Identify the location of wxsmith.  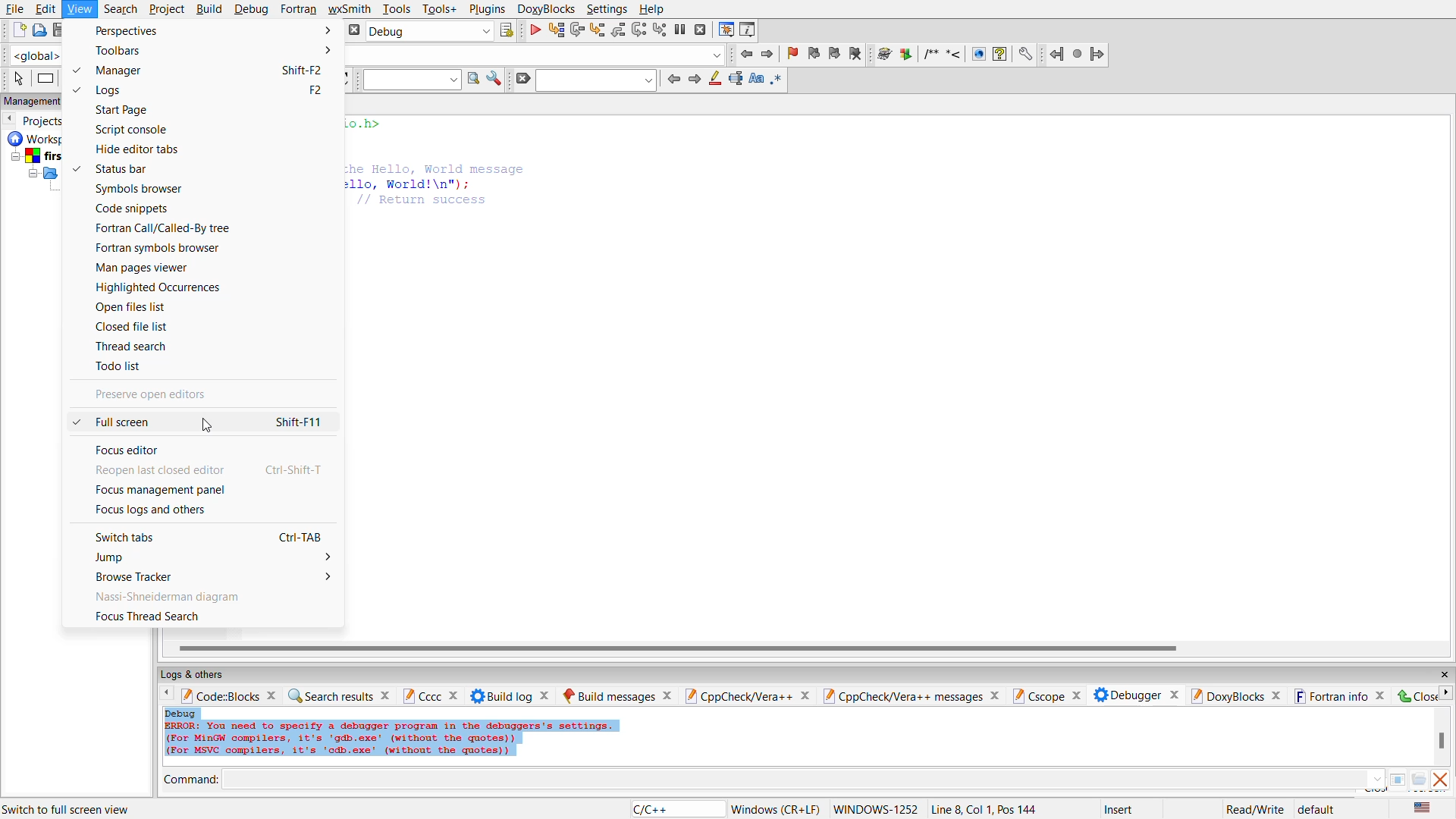
(350, 9).